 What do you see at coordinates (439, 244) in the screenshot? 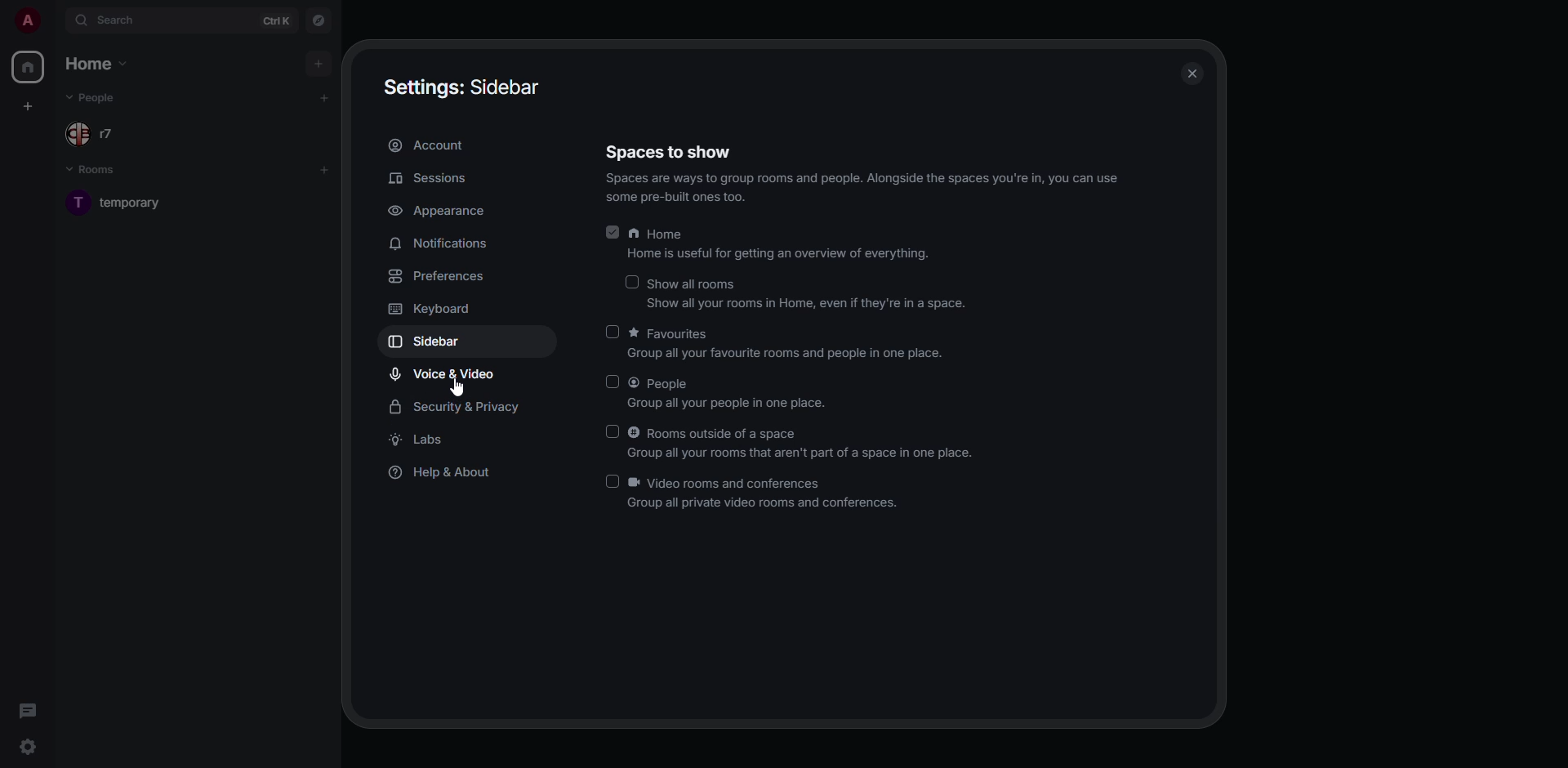
I see `notifications` at bounding box center [439, 244].